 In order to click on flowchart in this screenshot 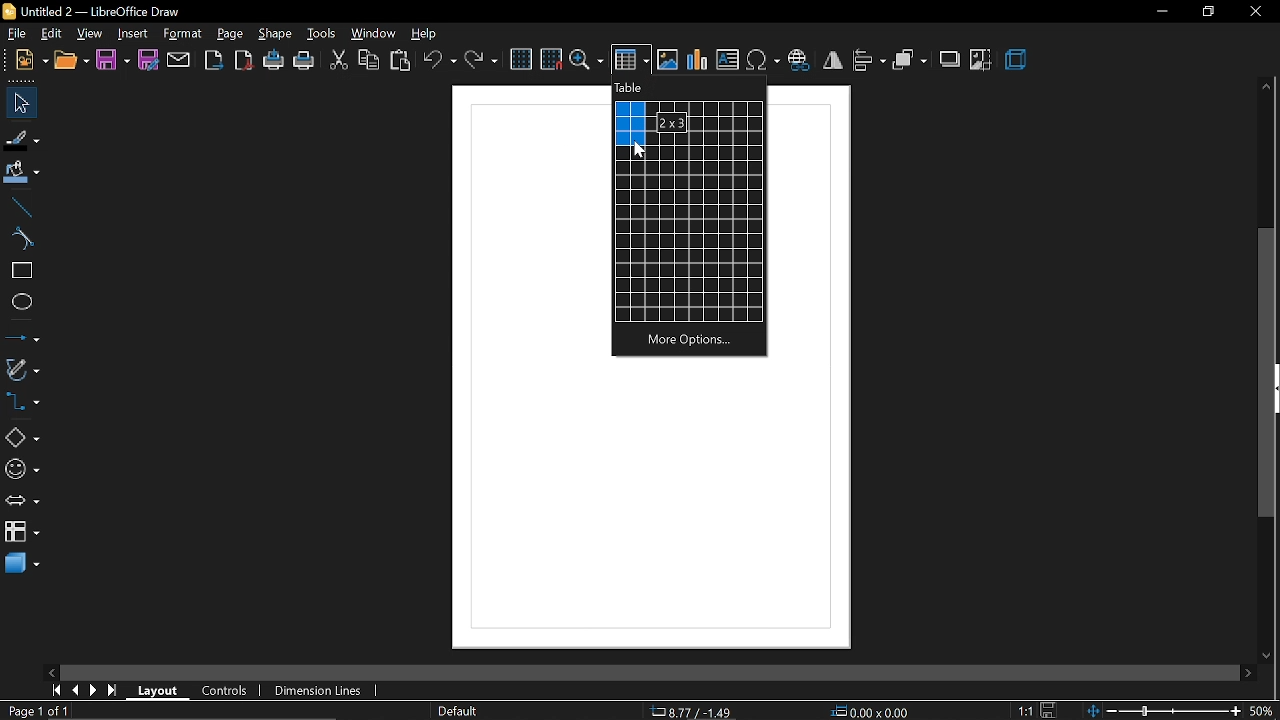, I will do `click(22, 532)`.